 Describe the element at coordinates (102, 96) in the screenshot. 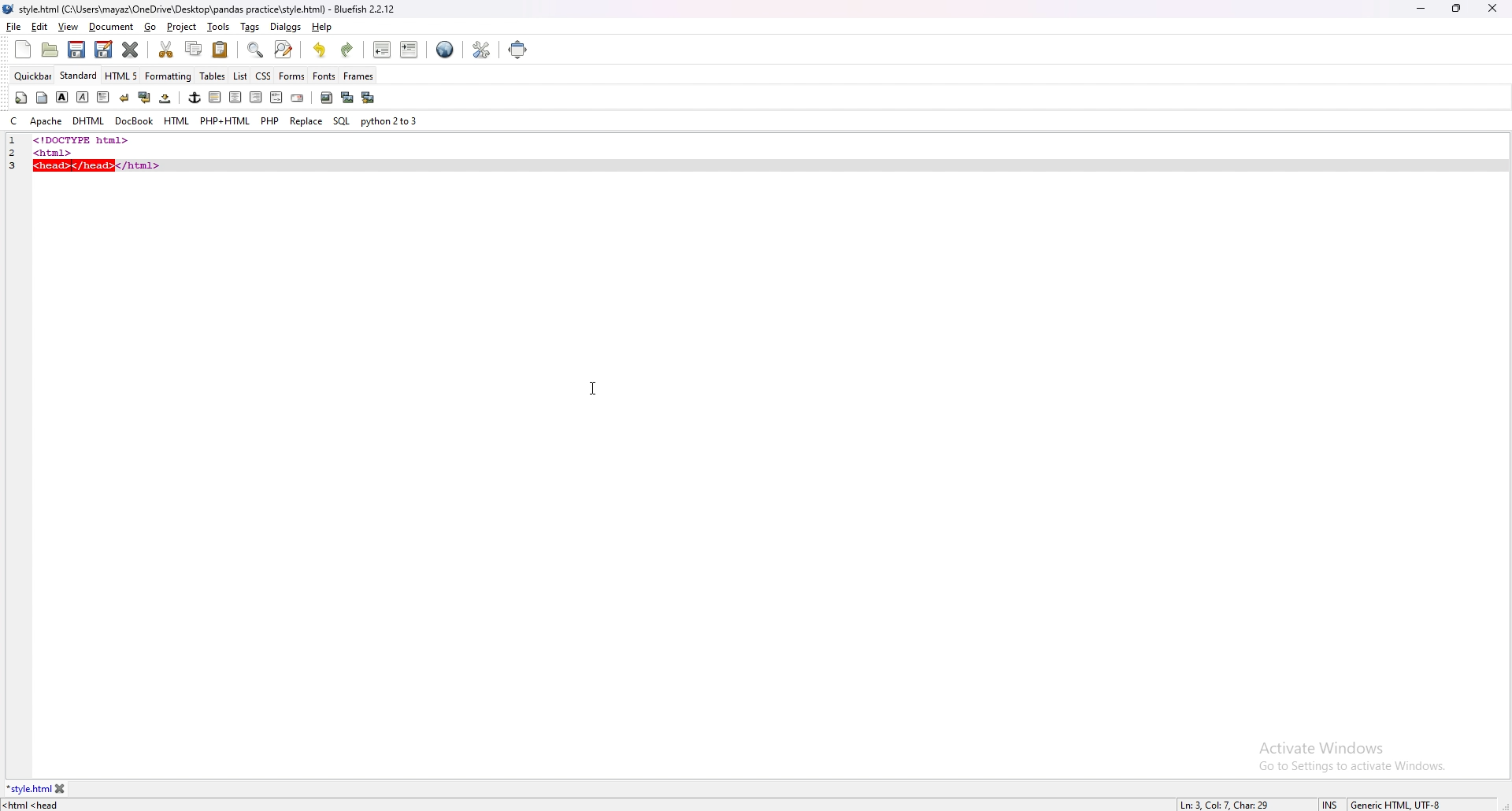

I see `paragraph` at that location.